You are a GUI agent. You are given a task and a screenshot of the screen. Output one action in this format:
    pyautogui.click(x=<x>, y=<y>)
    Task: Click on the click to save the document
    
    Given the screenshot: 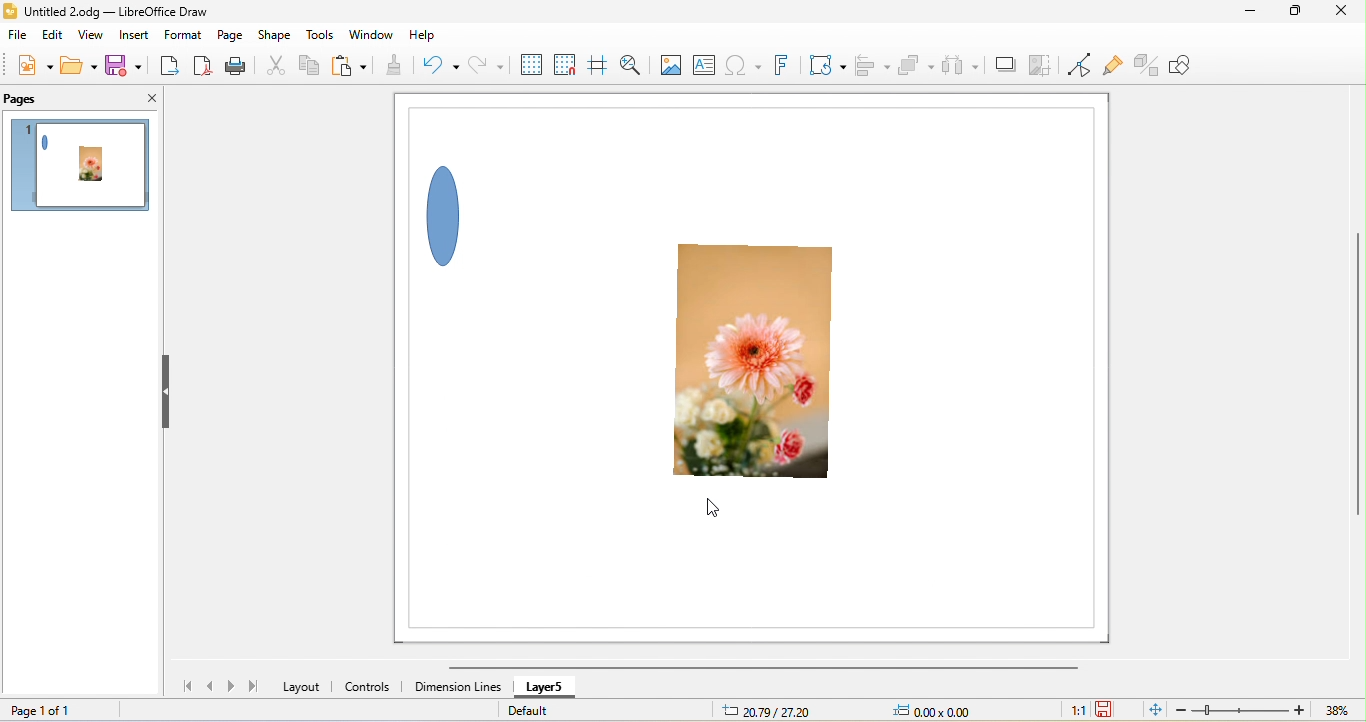 What is the action you would take?
    pyautogui.click(x=1106, y=710)
    